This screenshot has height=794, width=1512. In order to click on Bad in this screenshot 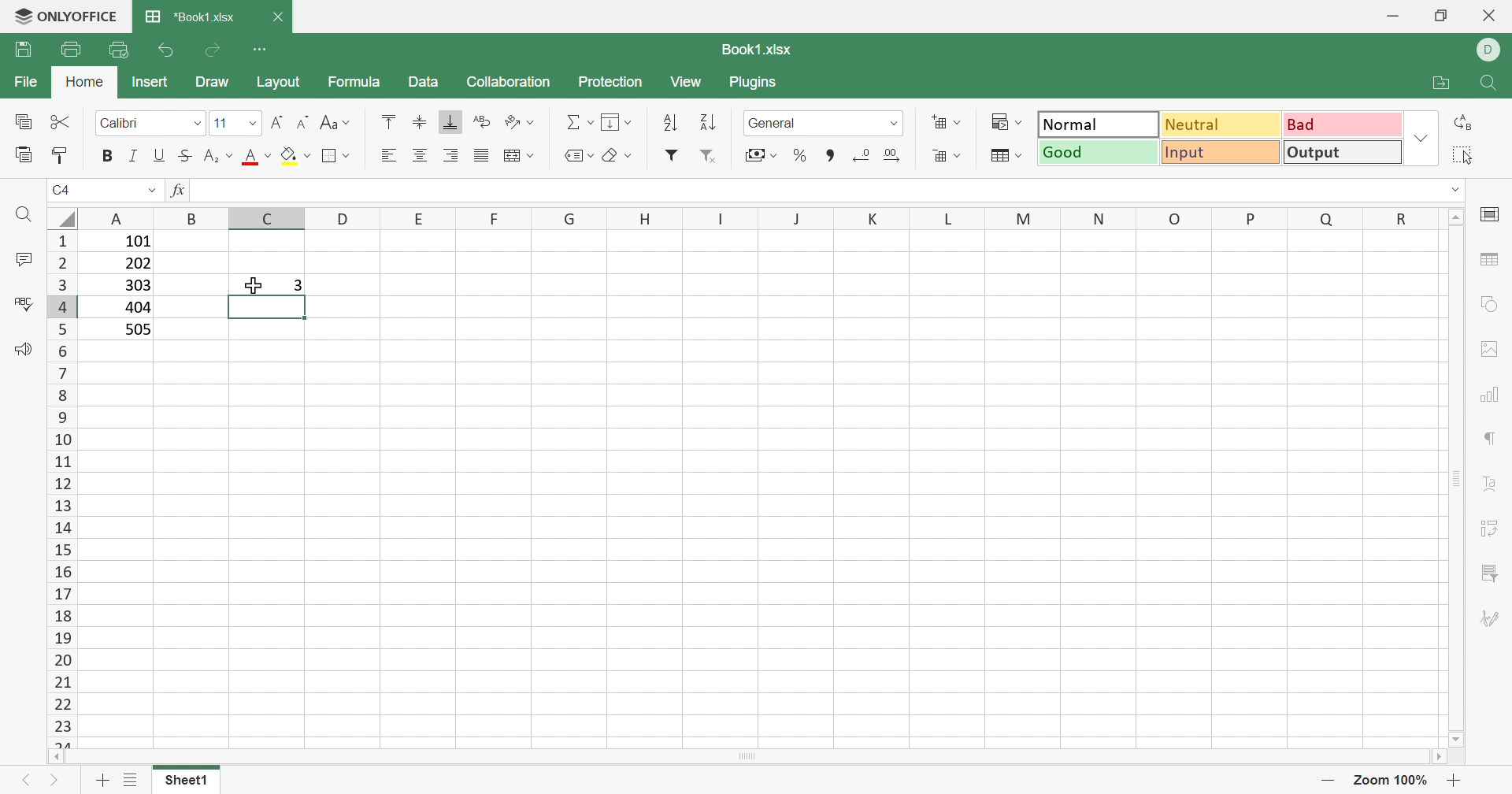, I will do `click(1343, 124)`.